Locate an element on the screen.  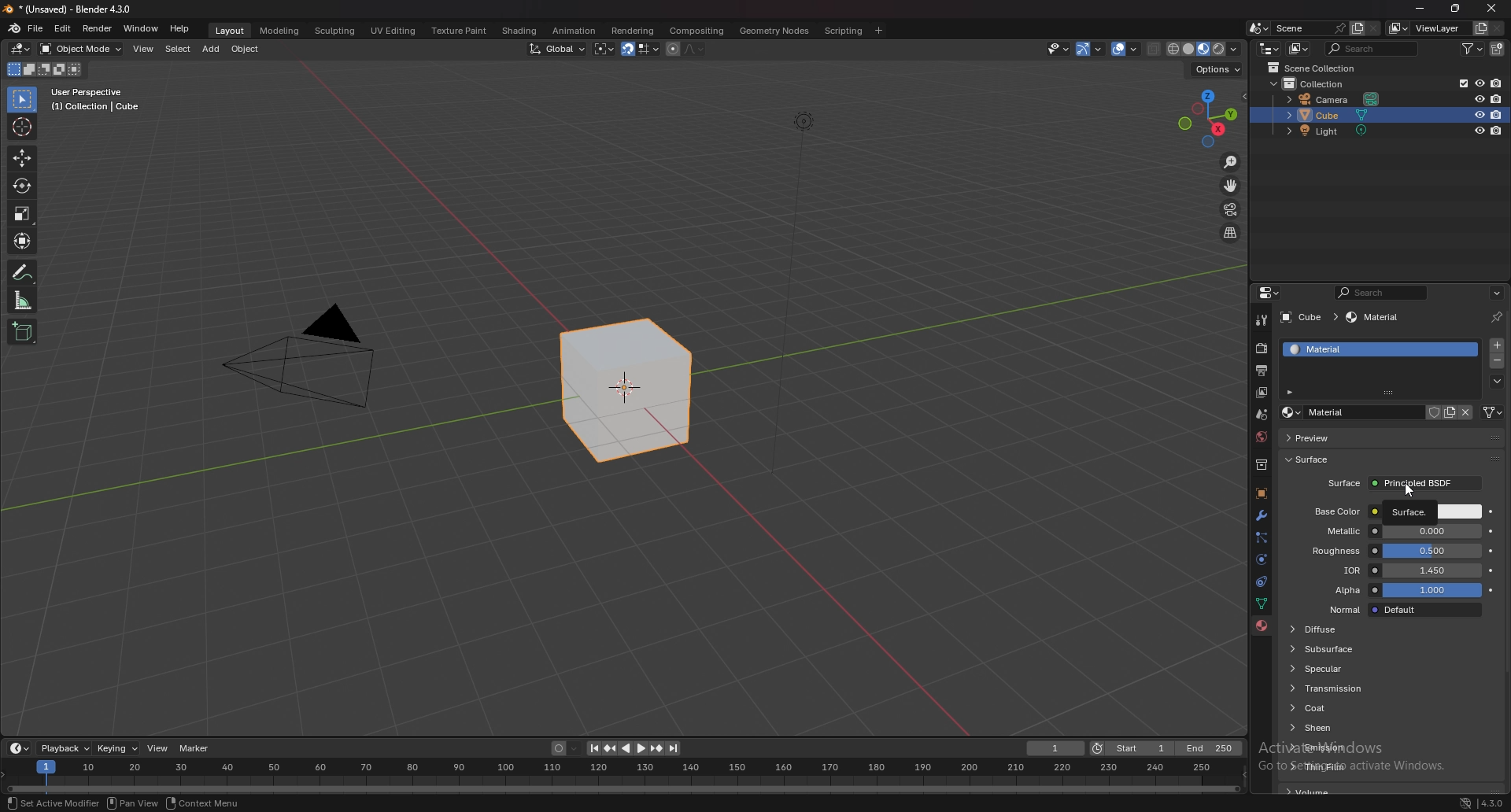
render is located at coordinates (98, 28).